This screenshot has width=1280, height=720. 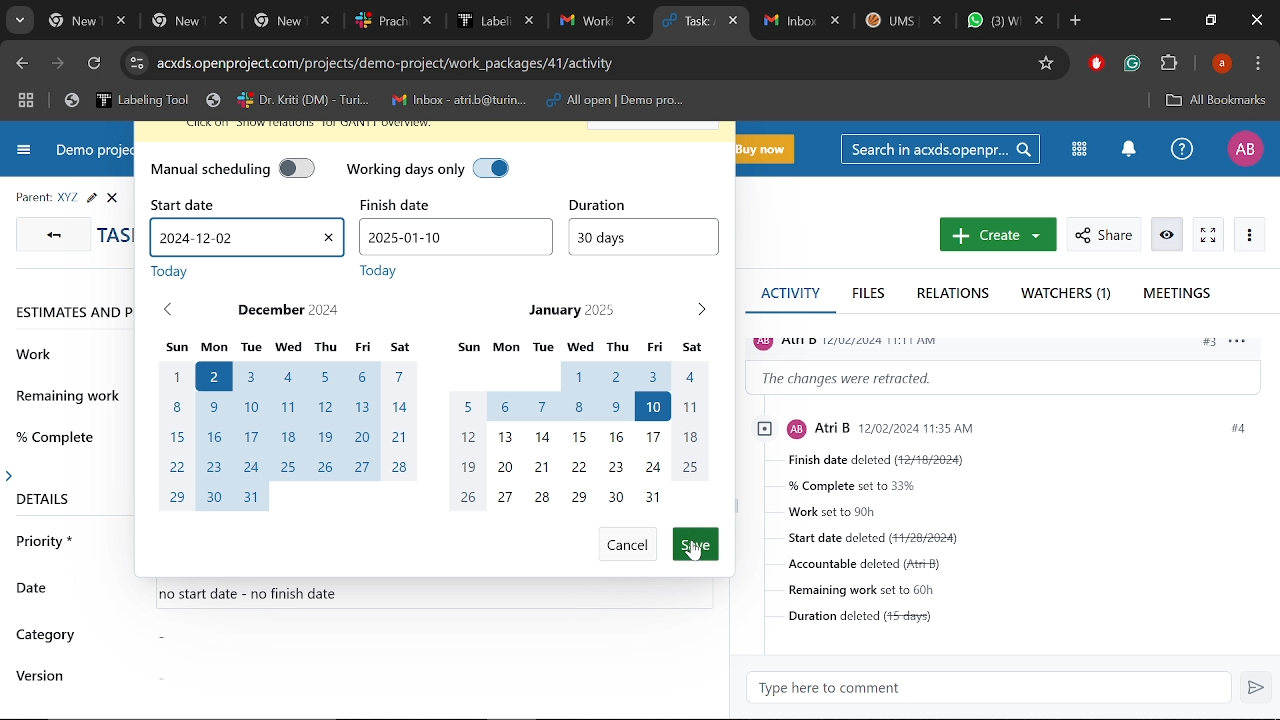 What do you see at coordinates (18, 21) in the screenshot?
I see `Search tabs` at bounding box center [18, 21].